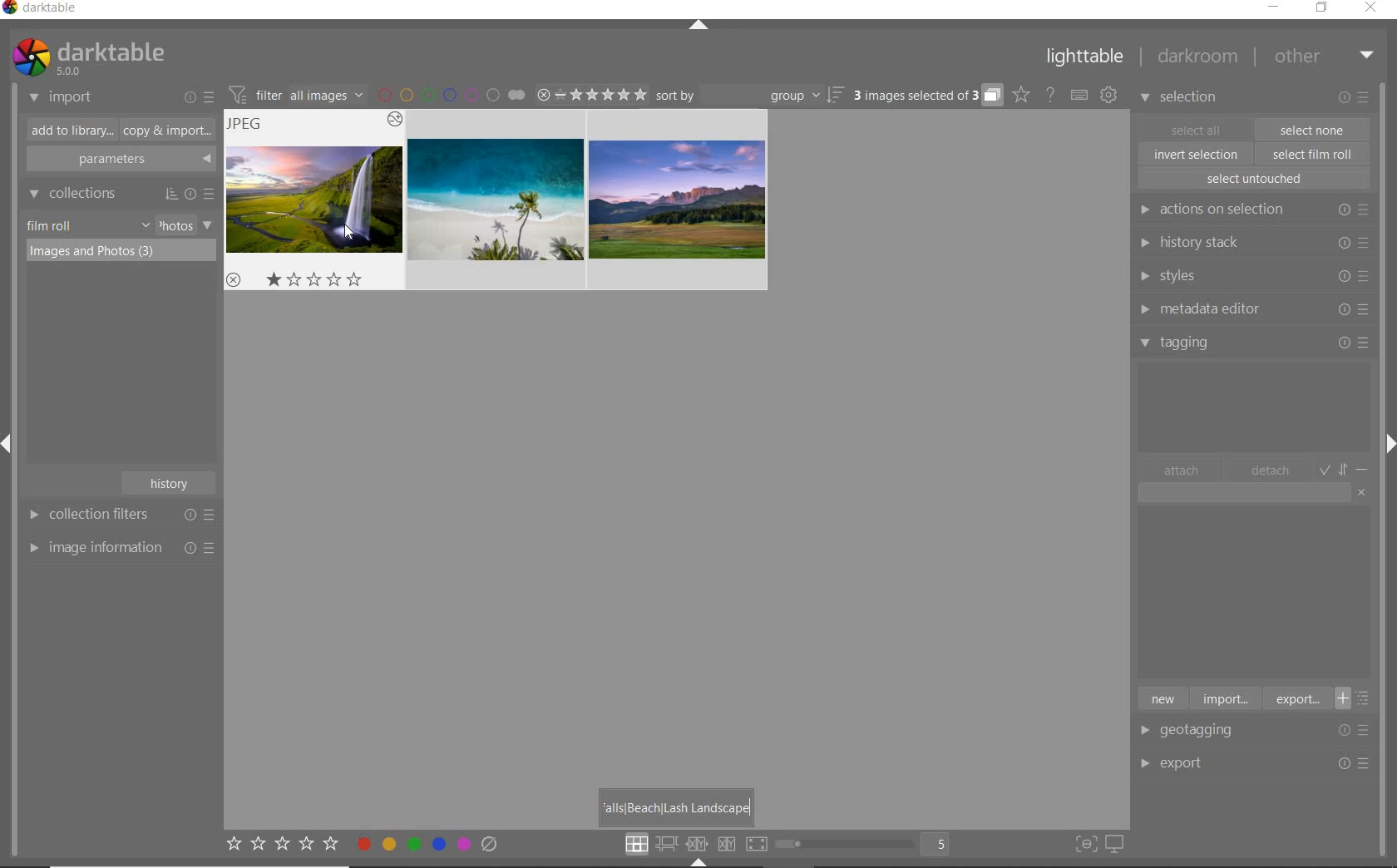 This screenshot has width=1397, height=868. I want to click on select all, so click(1196, 128).